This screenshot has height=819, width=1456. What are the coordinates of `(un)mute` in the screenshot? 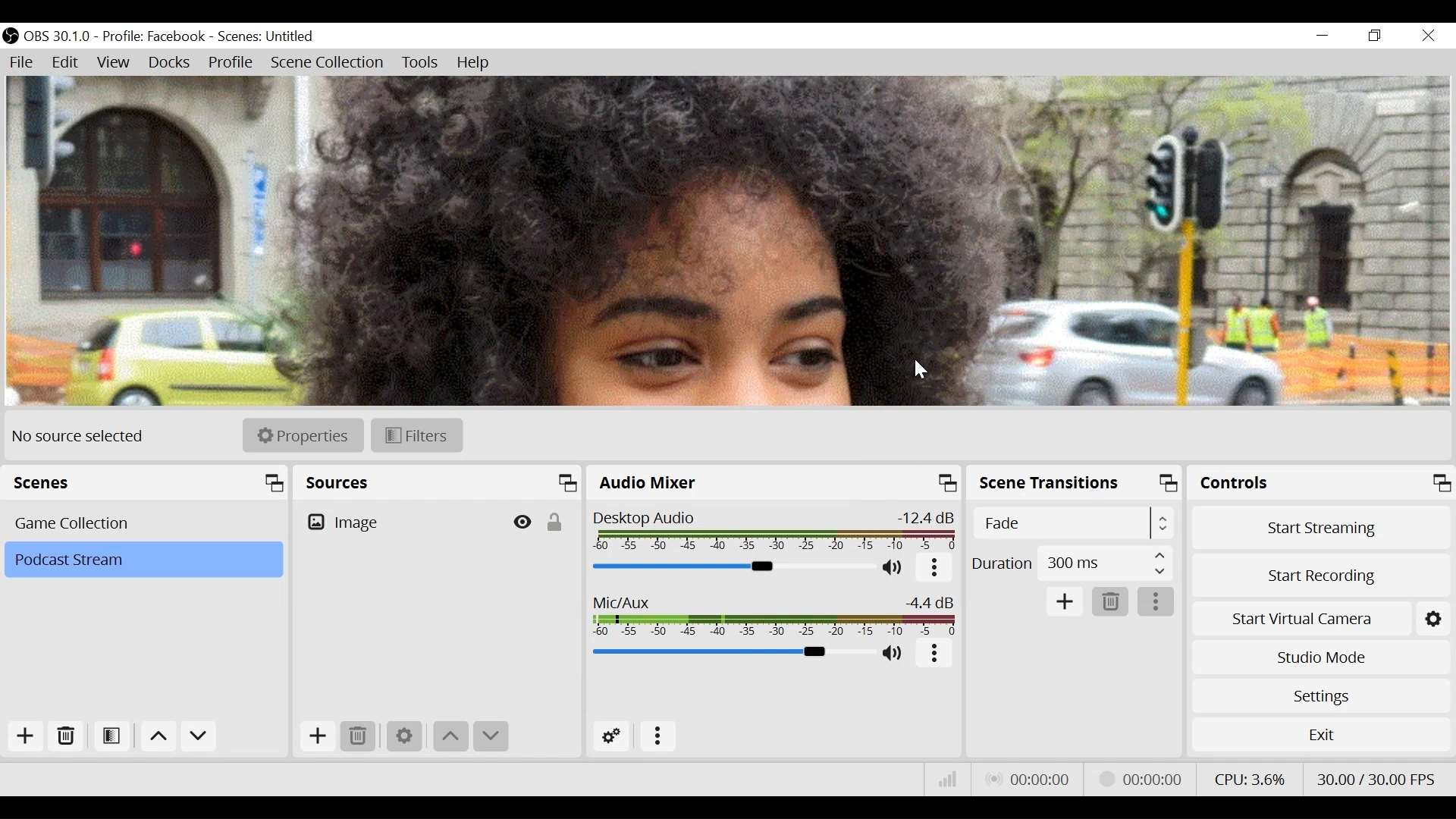 It's located at (894, 654).